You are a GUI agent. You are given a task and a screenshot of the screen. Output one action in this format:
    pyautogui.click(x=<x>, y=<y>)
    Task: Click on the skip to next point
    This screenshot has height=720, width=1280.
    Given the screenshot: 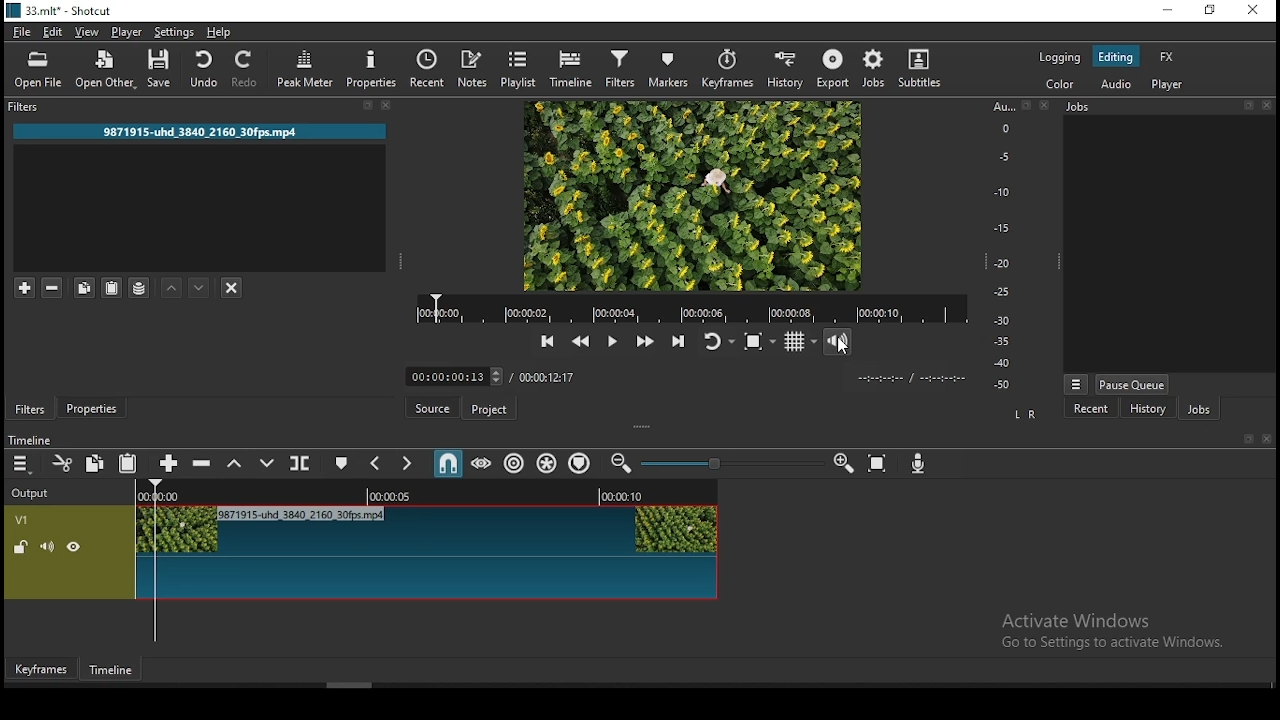 What is the action you would take?
    pyautogui.click(x=677, y=340)
    